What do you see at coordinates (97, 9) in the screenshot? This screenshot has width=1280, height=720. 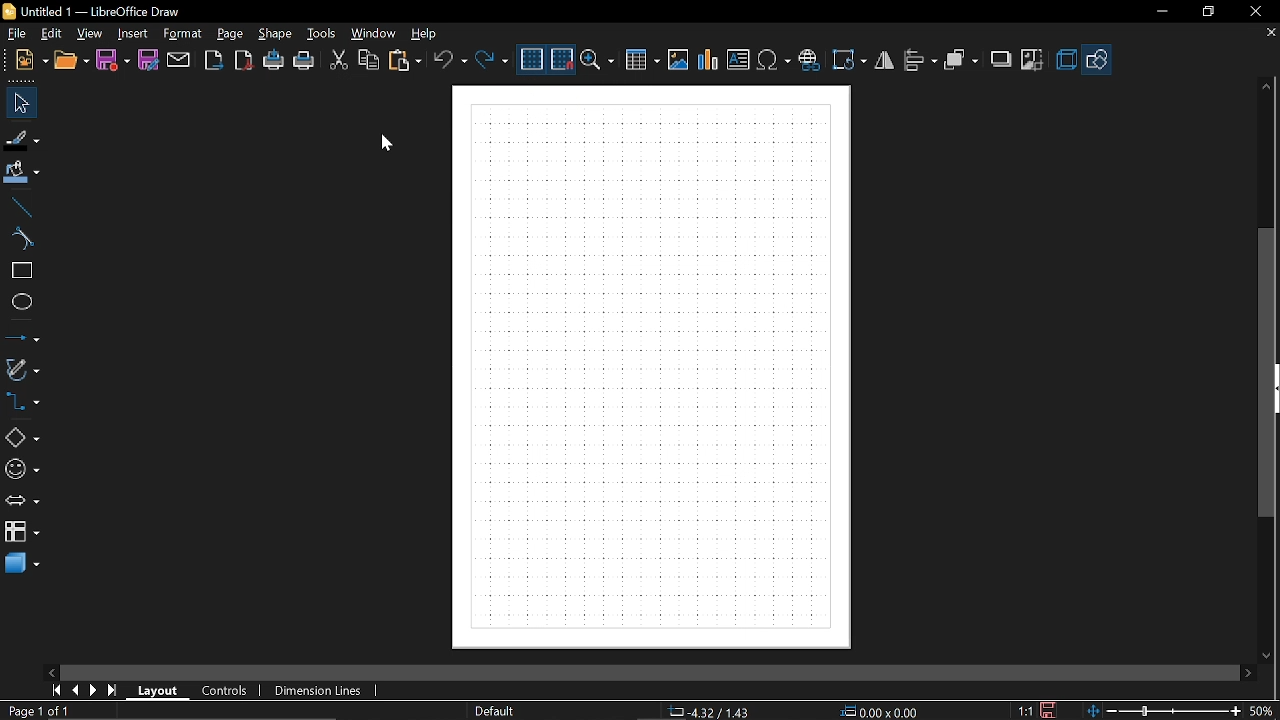 I see `Untitled 1 - LibreOffice Draw` at bounding box center [97, 9].